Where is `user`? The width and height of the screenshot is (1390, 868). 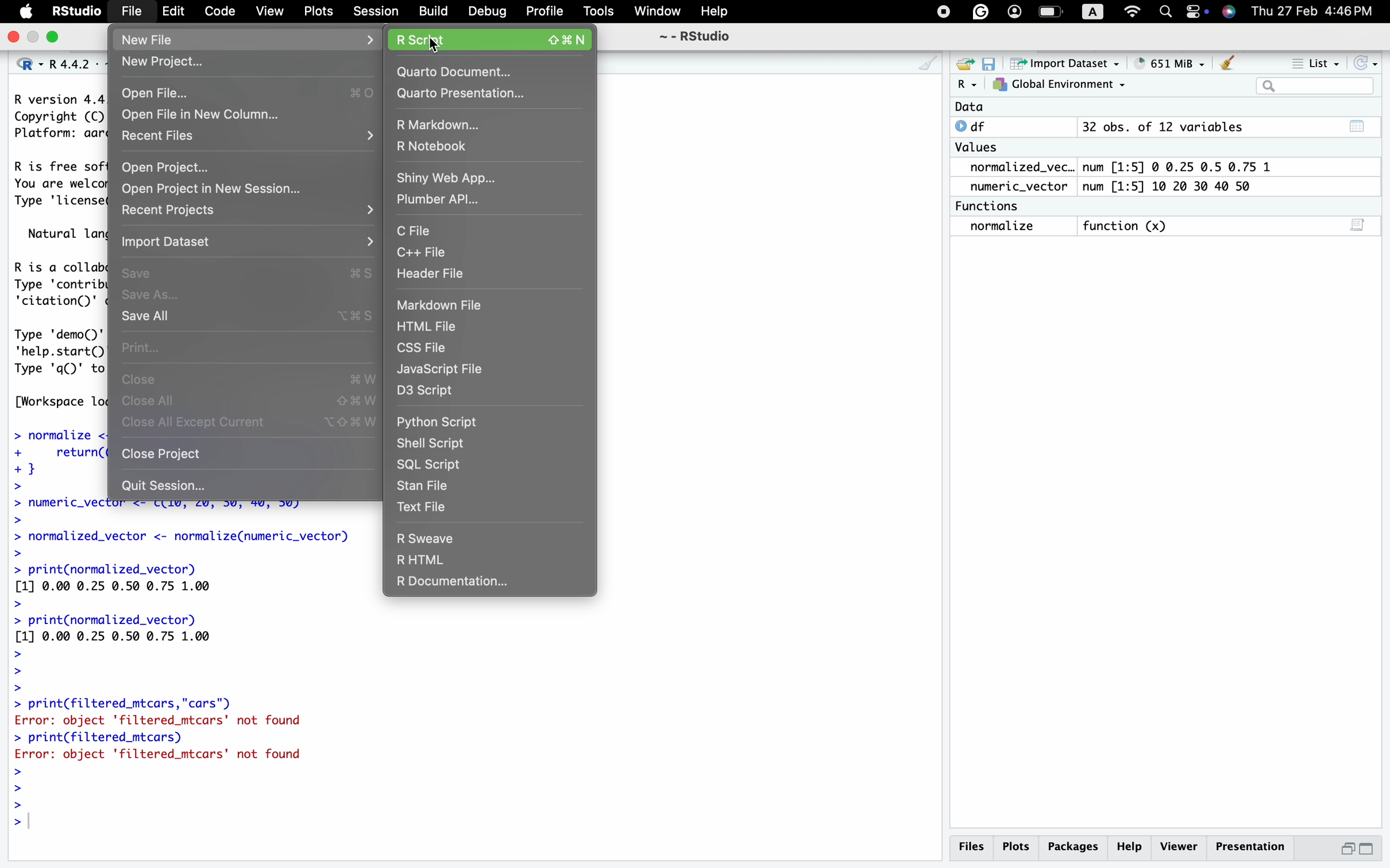 user is located at coordinates (1018, 12).